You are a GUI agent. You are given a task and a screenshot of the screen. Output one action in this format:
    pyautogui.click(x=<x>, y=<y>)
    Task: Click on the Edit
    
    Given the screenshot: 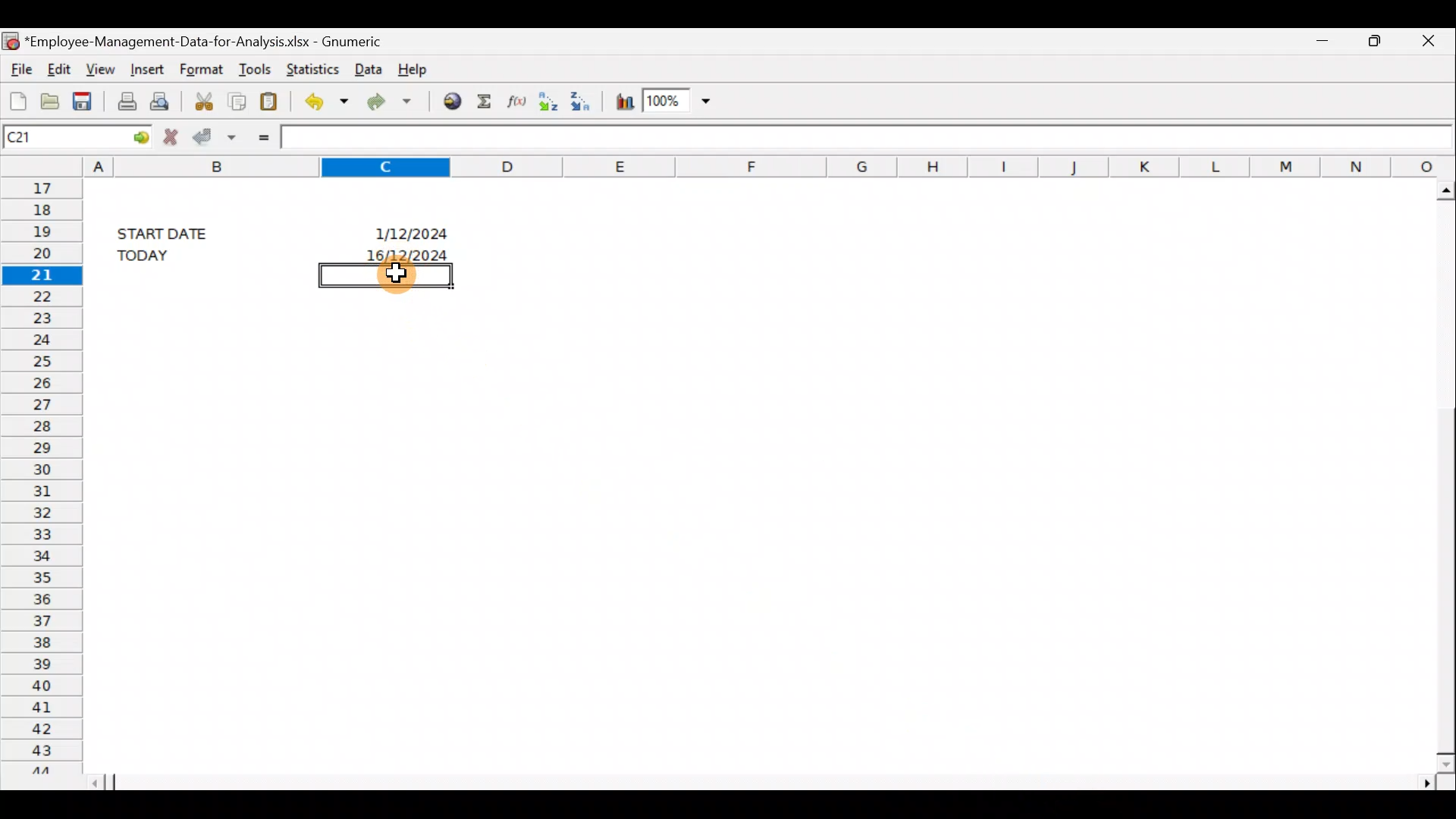 What is the action you would take?
    pyautogui.click(x=61, y=69)
    